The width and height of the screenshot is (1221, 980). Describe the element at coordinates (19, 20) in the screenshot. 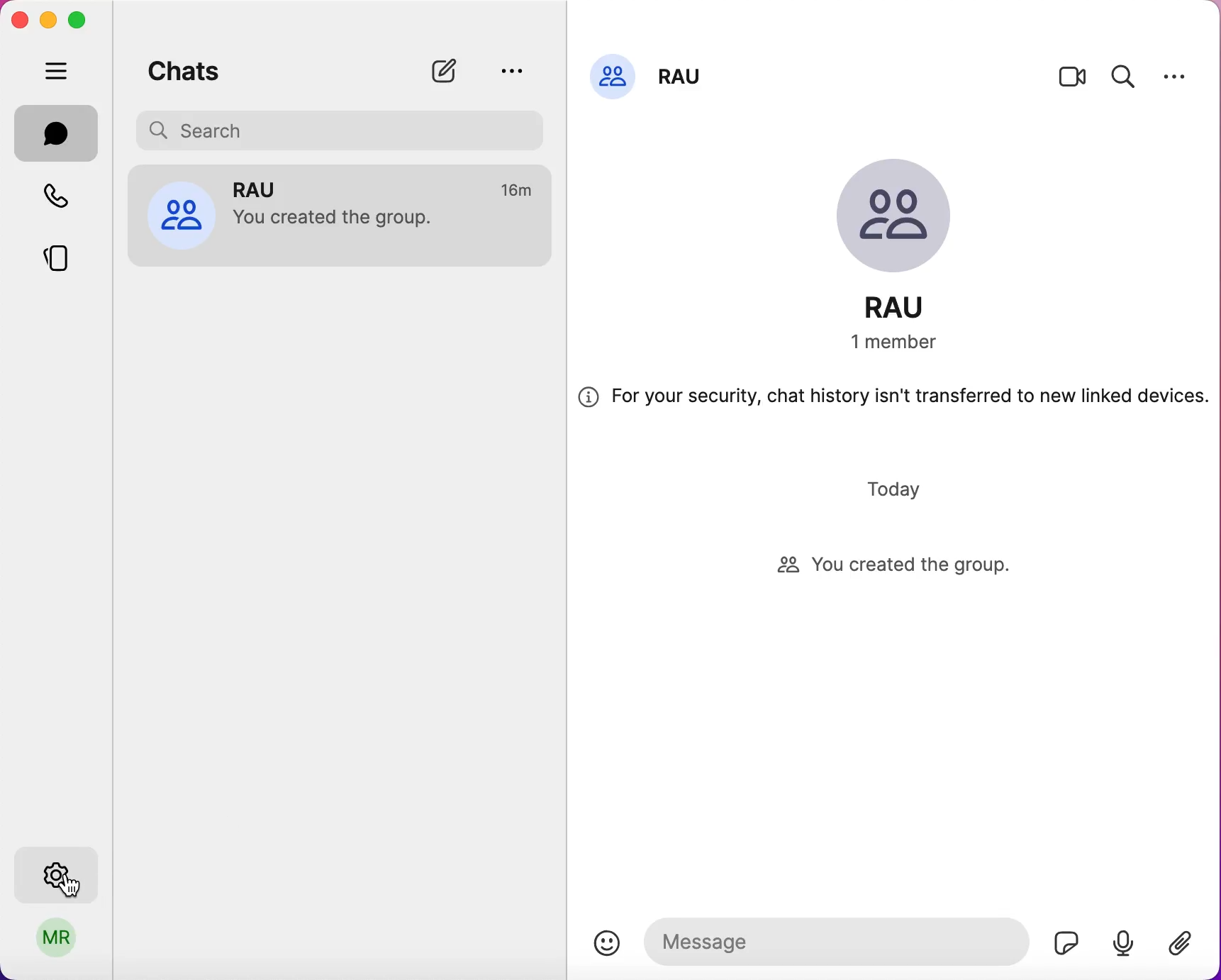

I see `close` at that location.